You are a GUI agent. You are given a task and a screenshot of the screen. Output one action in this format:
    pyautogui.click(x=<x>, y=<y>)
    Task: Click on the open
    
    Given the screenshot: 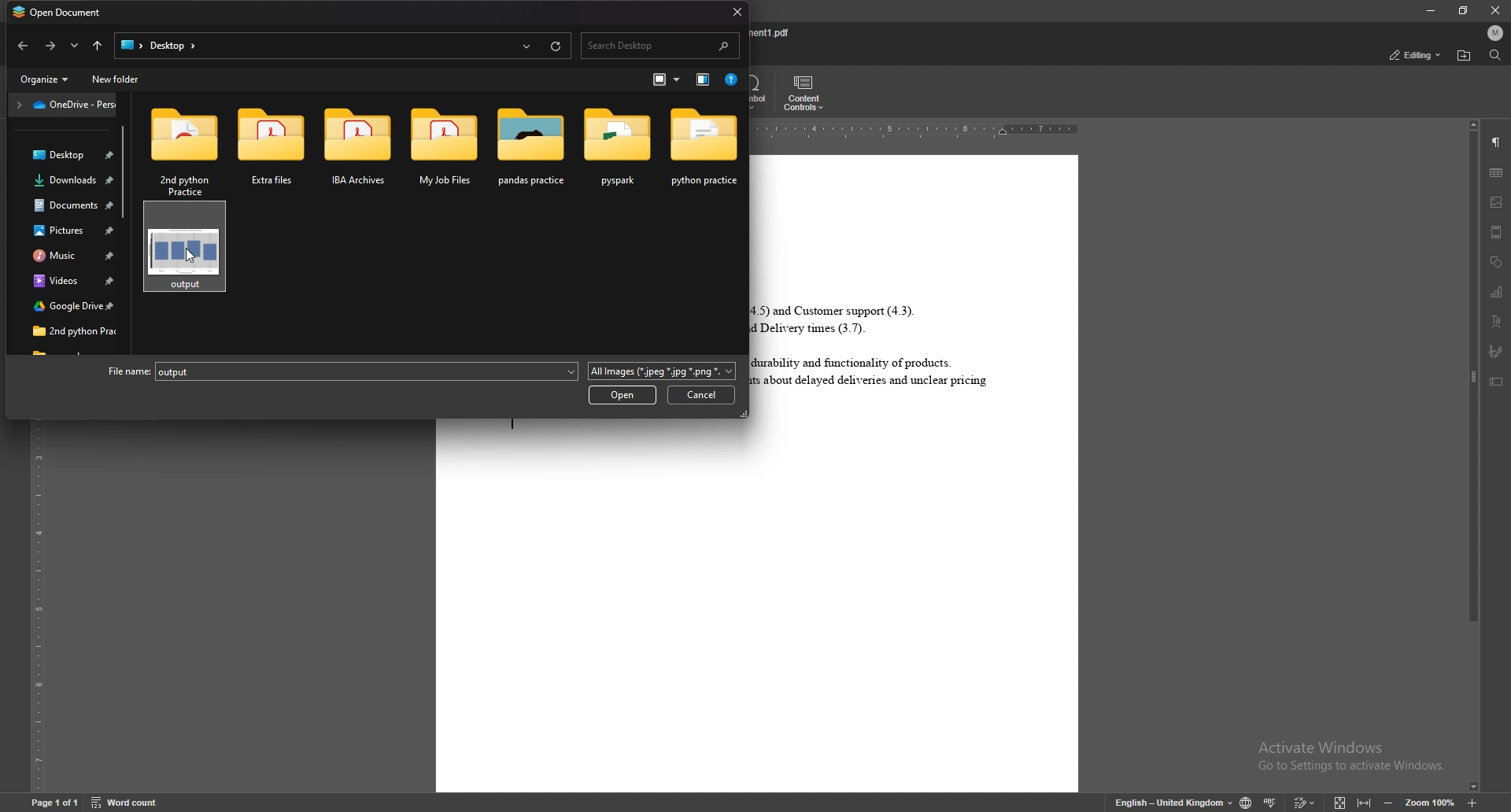 What is the action you would take?
    pyautogui.click(x=622, y=396)
    